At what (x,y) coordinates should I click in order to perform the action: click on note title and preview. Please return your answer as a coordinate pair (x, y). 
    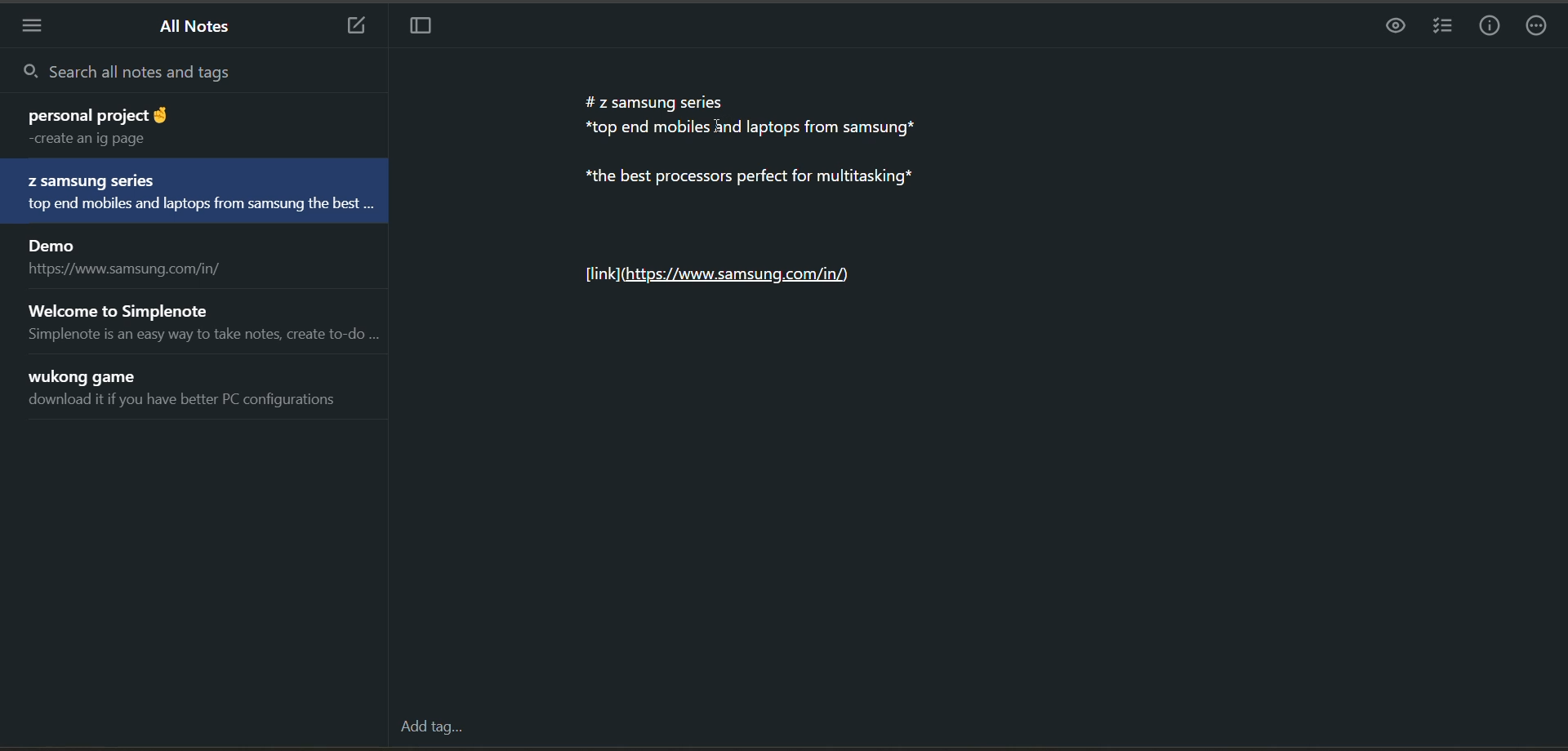
    Looking at the image, I should click on (199, 193).